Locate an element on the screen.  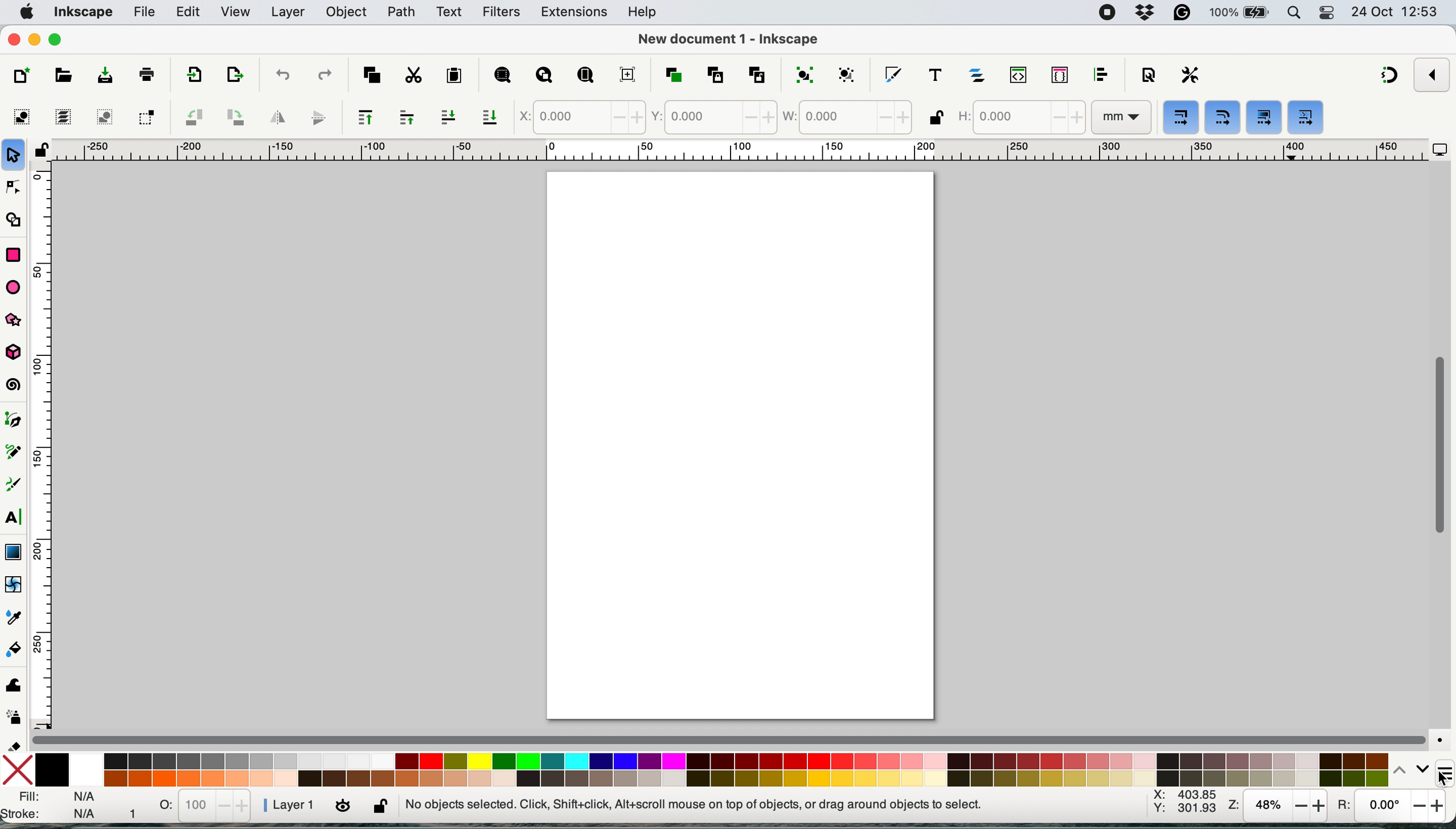
enable snapping is located at coordinates (1429, 75).